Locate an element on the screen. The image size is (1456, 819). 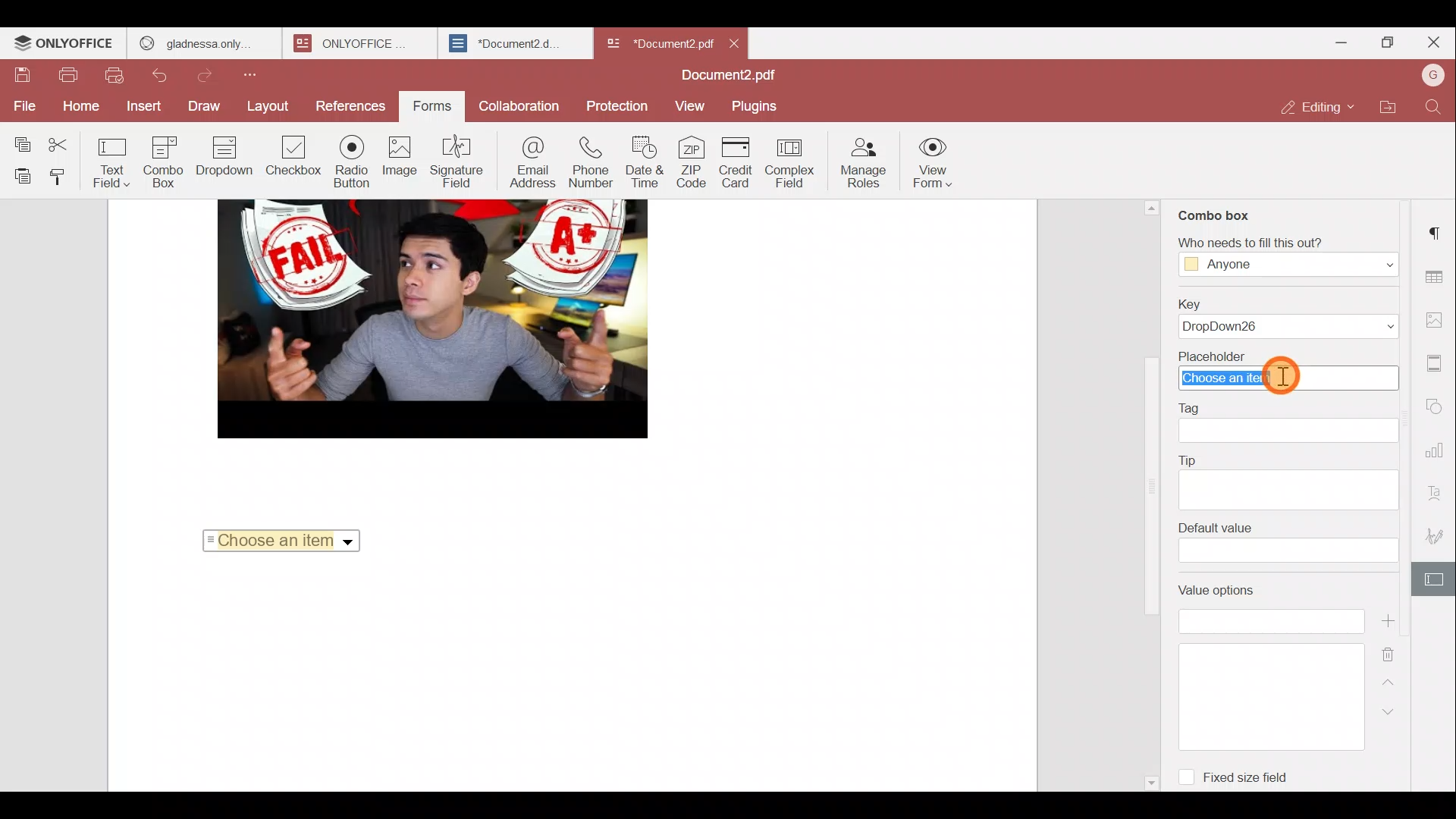
View form is located at coordinates (934, 159).